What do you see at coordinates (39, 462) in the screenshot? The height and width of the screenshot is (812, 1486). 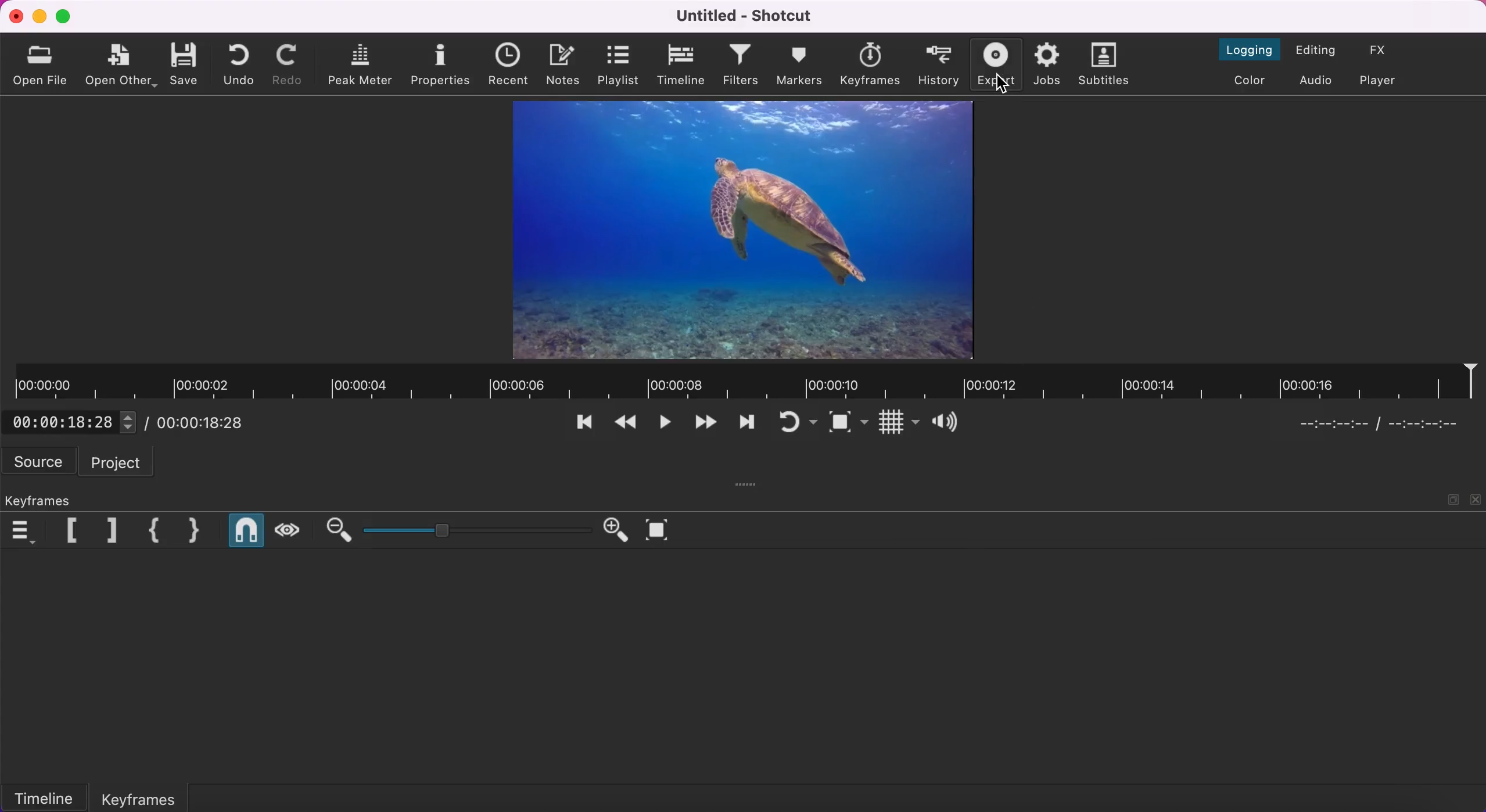 I see `source` at bounding box center [39, 462].